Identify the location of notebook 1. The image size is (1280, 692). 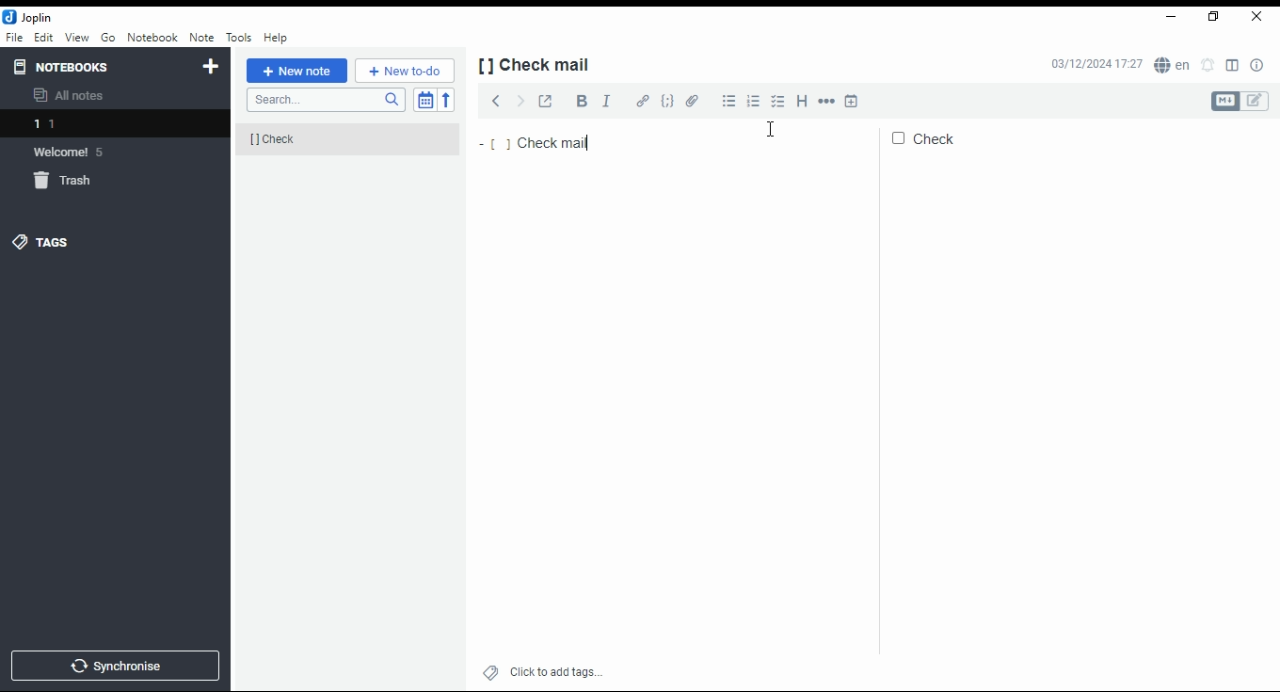
(84, 123).